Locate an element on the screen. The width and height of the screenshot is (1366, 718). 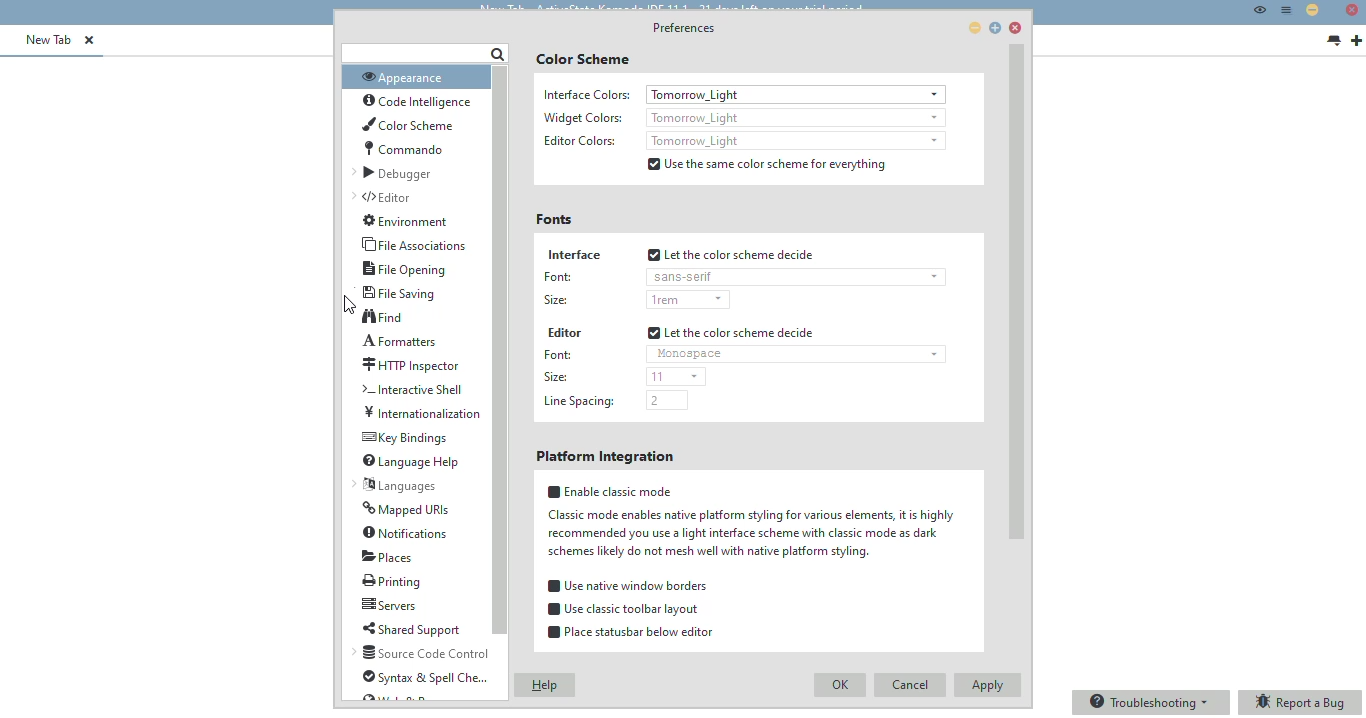
mapped URLs is located at coordinates (406, 509).